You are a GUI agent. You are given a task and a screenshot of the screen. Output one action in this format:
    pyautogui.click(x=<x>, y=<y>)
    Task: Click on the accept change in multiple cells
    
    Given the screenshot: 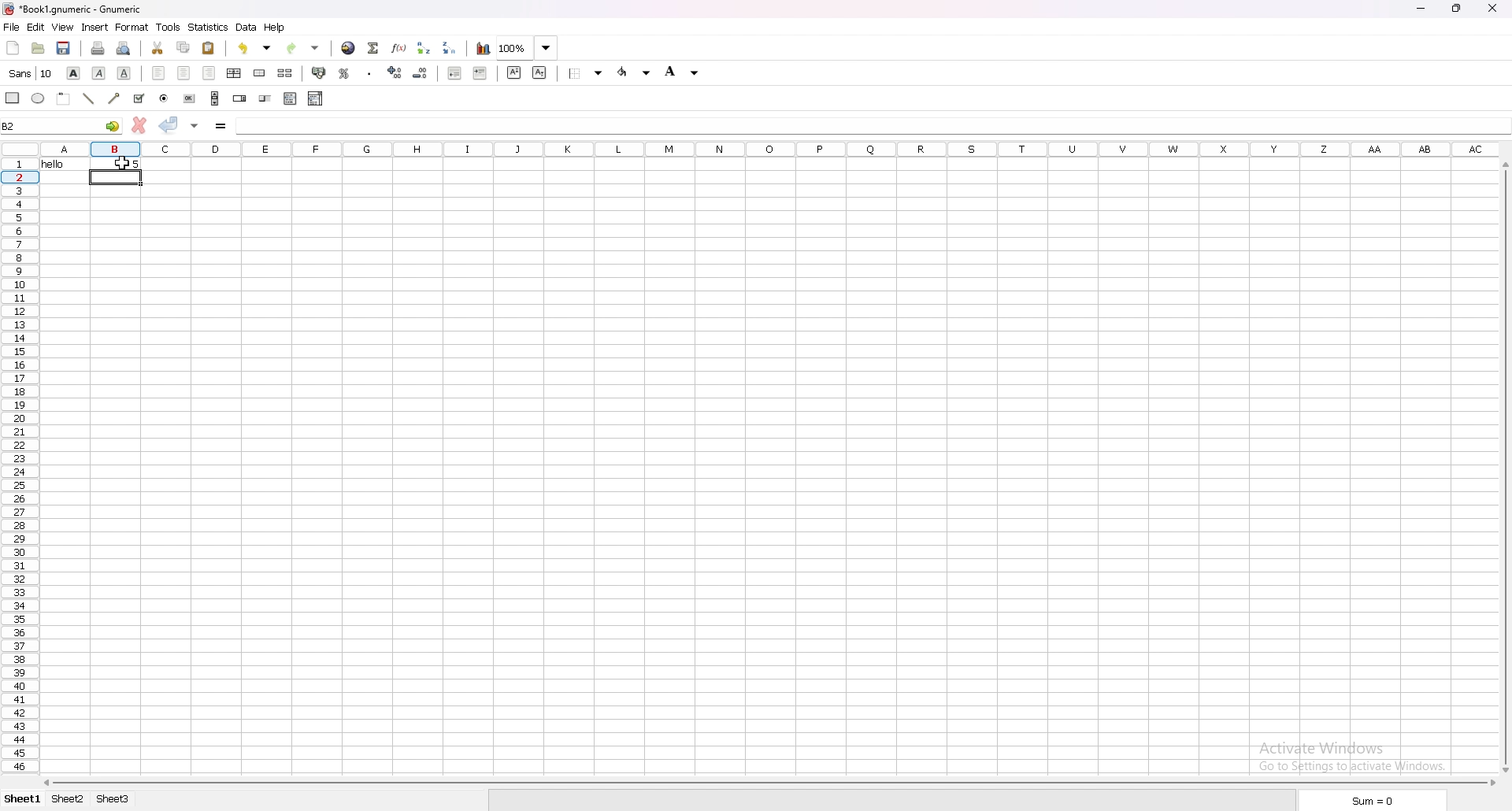 What is the action you would take?
    pyautogui.click(x=195, y=125)
    